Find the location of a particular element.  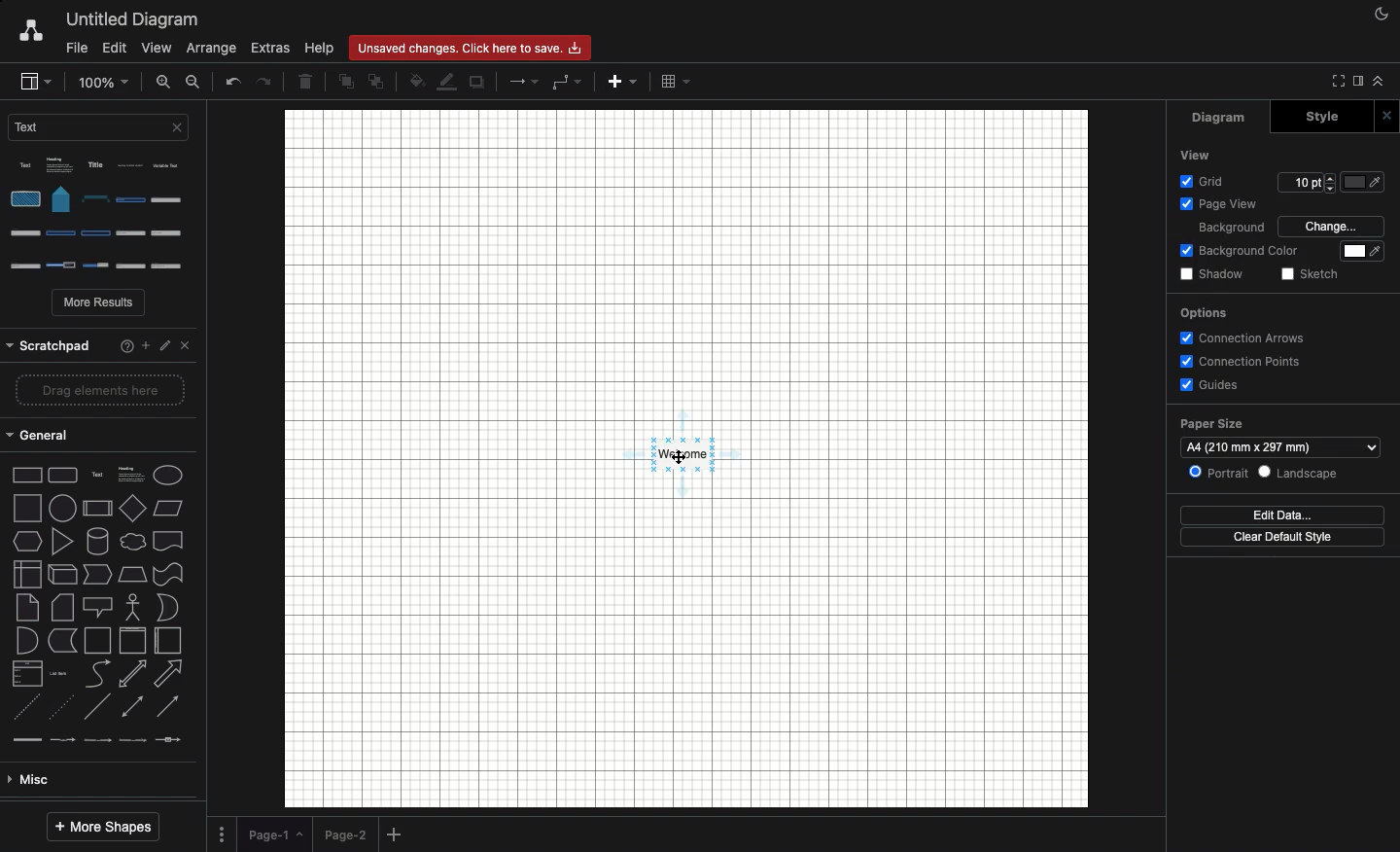

Diagram is located at coordinates (1217, 119).